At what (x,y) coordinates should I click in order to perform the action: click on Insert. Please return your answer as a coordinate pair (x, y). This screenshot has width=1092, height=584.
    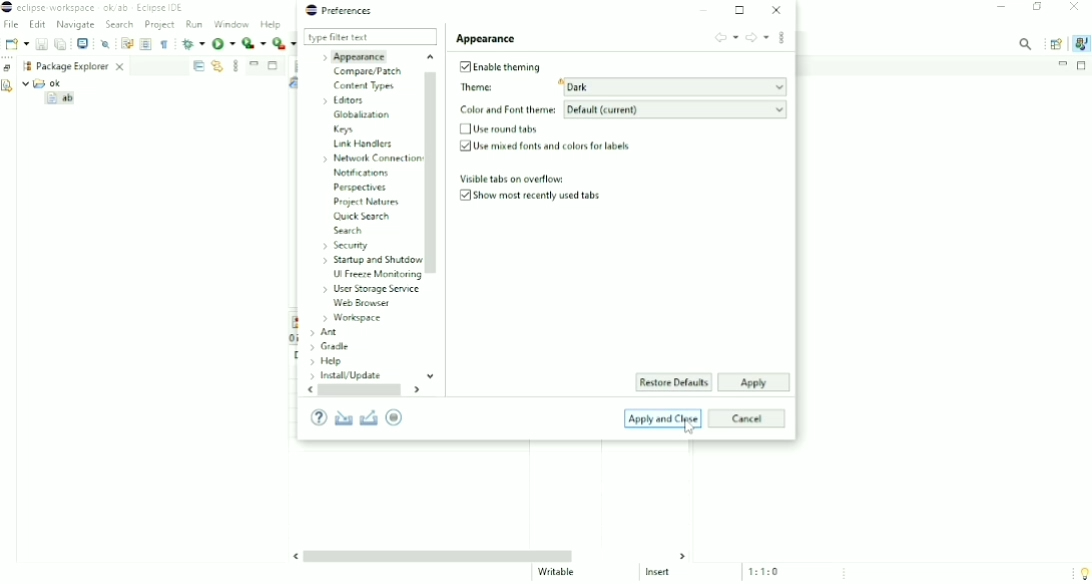
    Looking at the image, I should click on (664, 573).